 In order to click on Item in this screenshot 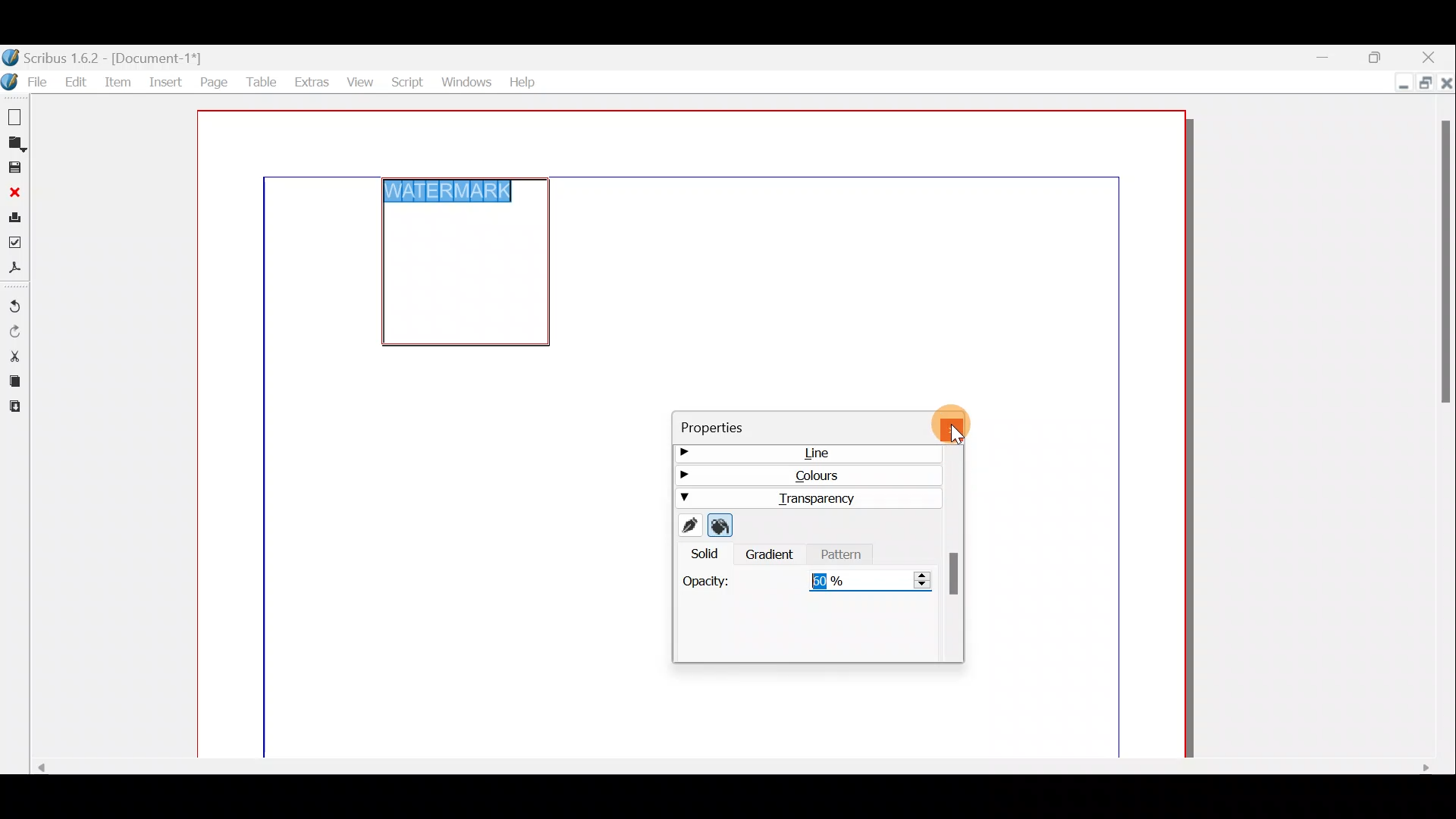, I will do `click(121, 81)`.